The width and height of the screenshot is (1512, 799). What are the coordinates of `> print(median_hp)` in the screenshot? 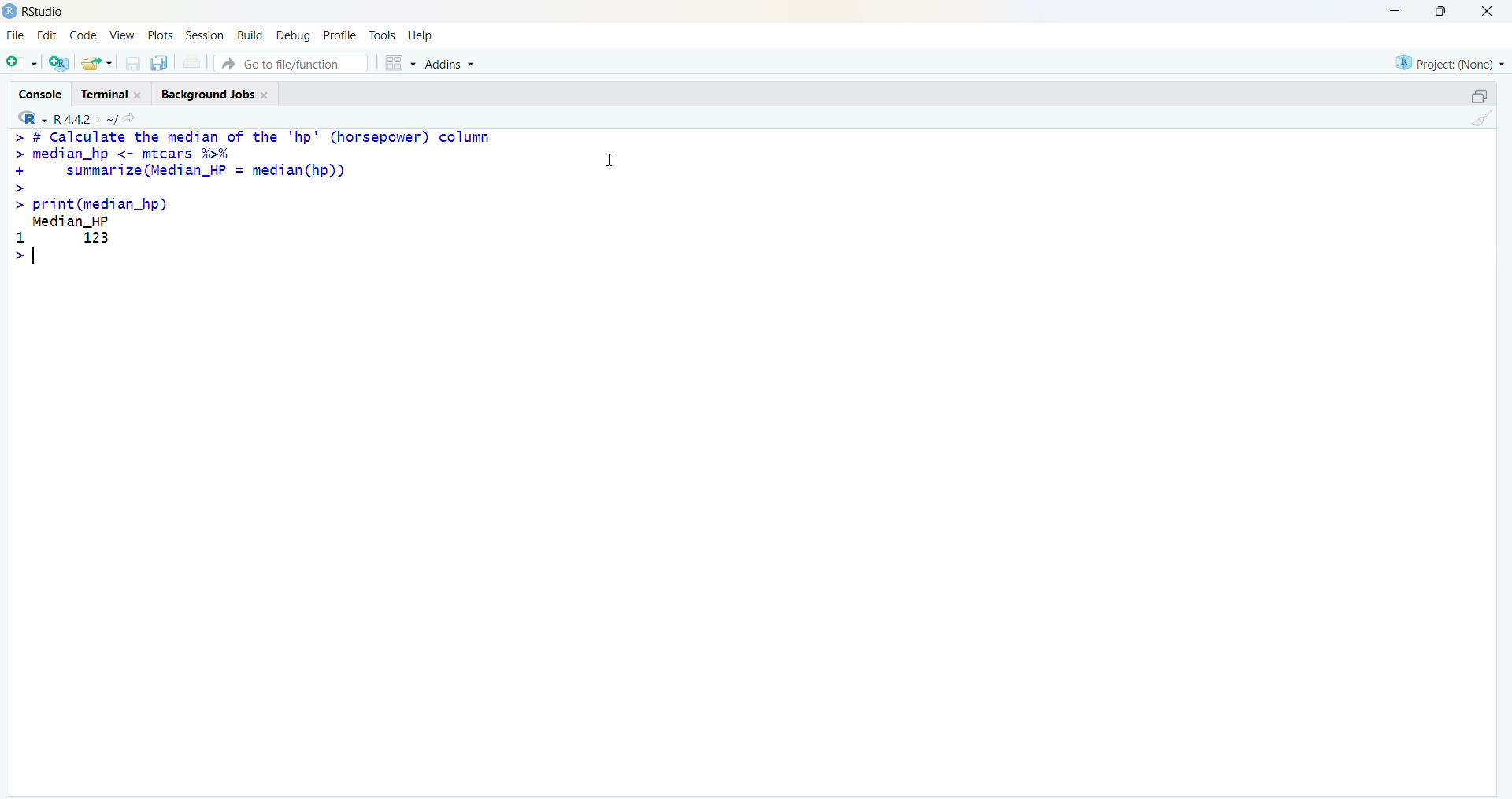 It's located at (92, 204).